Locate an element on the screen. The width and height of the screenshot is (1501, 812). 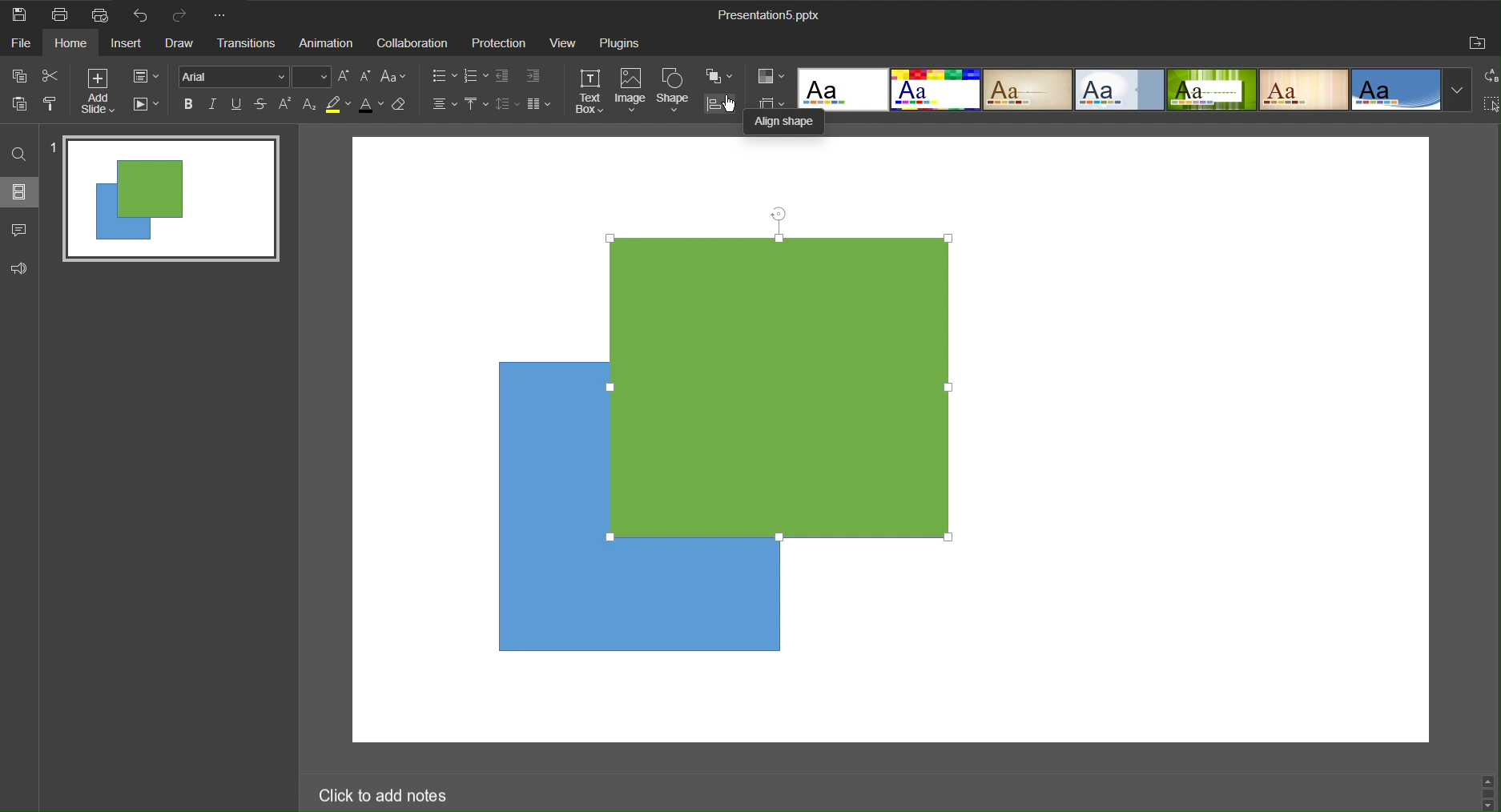
increase indent is located at coordinates (534, 74).